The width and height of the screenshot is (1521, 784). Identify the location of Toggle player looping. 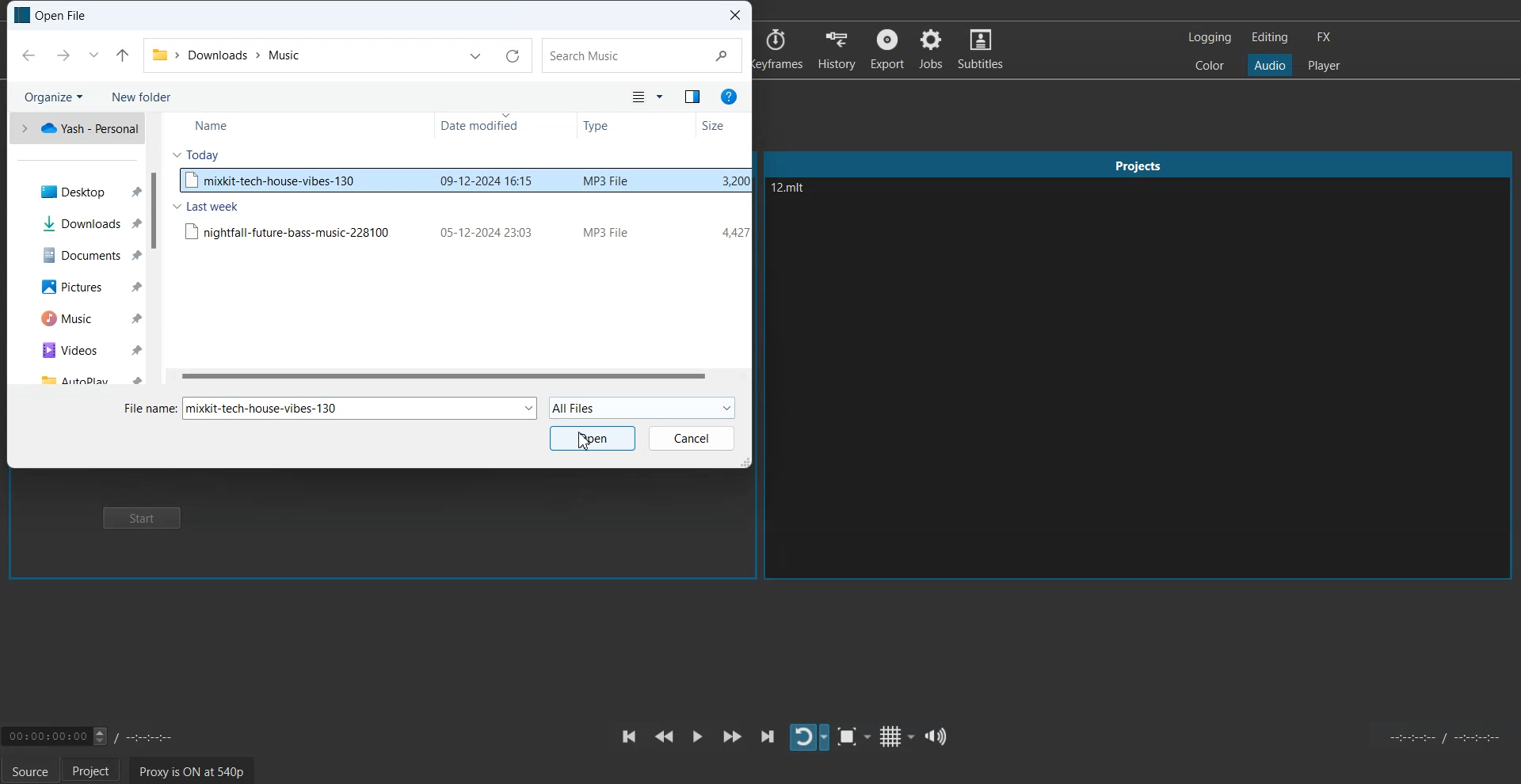
(808, 737).